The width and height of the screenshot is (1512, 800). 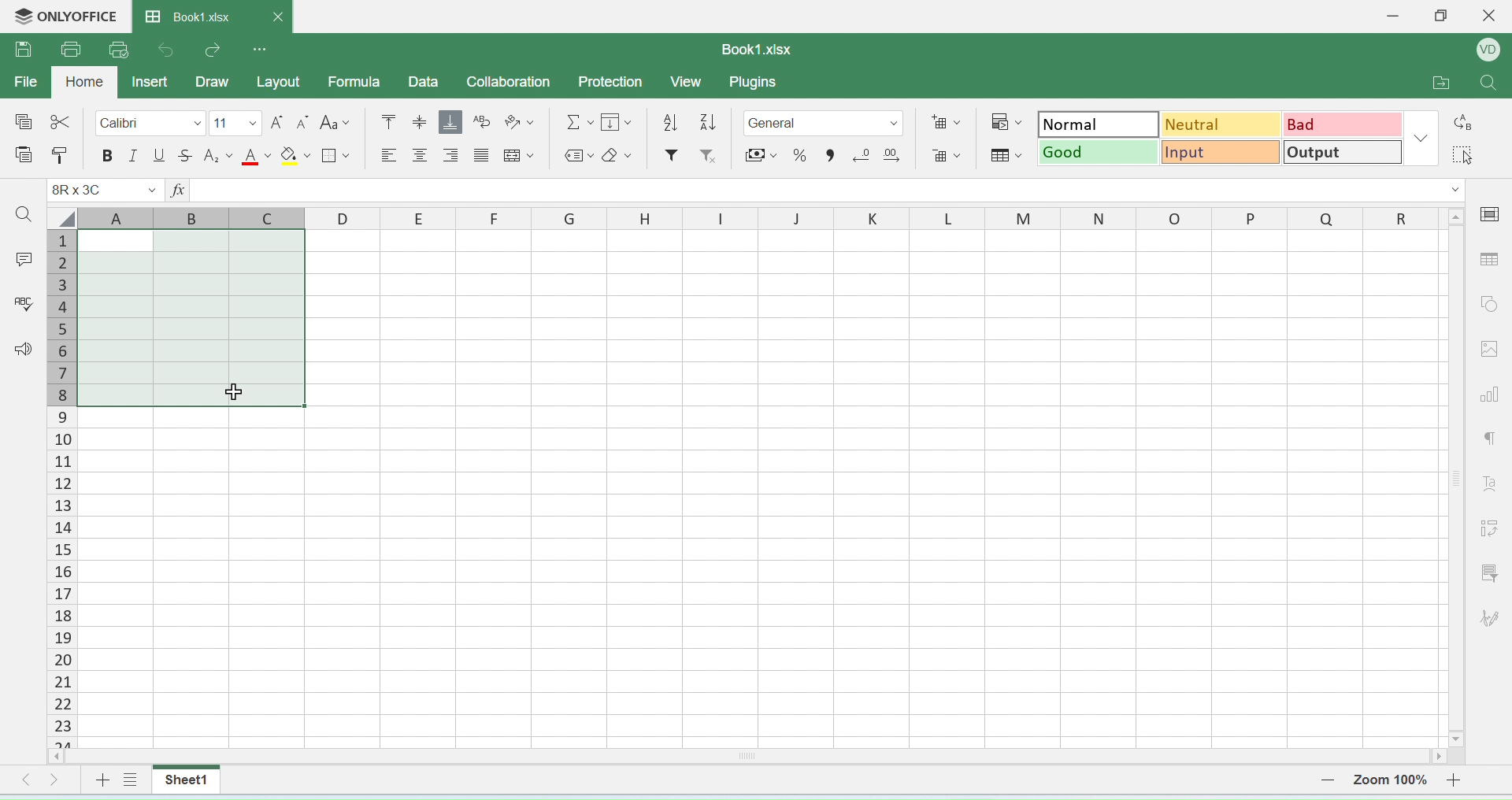 What do you see at coordinates (26, 50) in the screenshot?
I see `save` at bounding box center [26, 50].